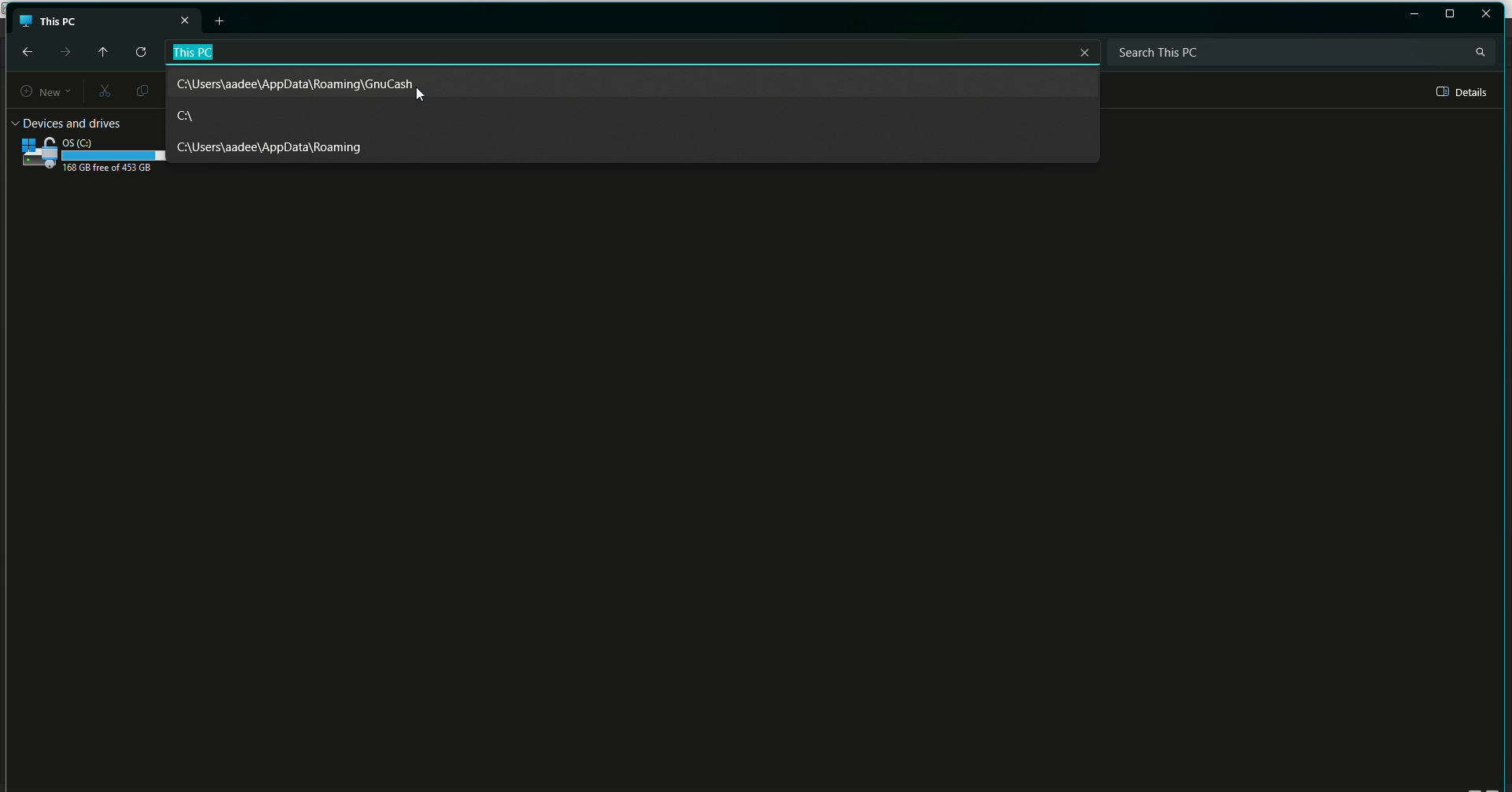 The width and height of the screenshot is (1512, 792). Describe the element at coordinates (106, 18) in the screenshot. I see `This PC` at that location.